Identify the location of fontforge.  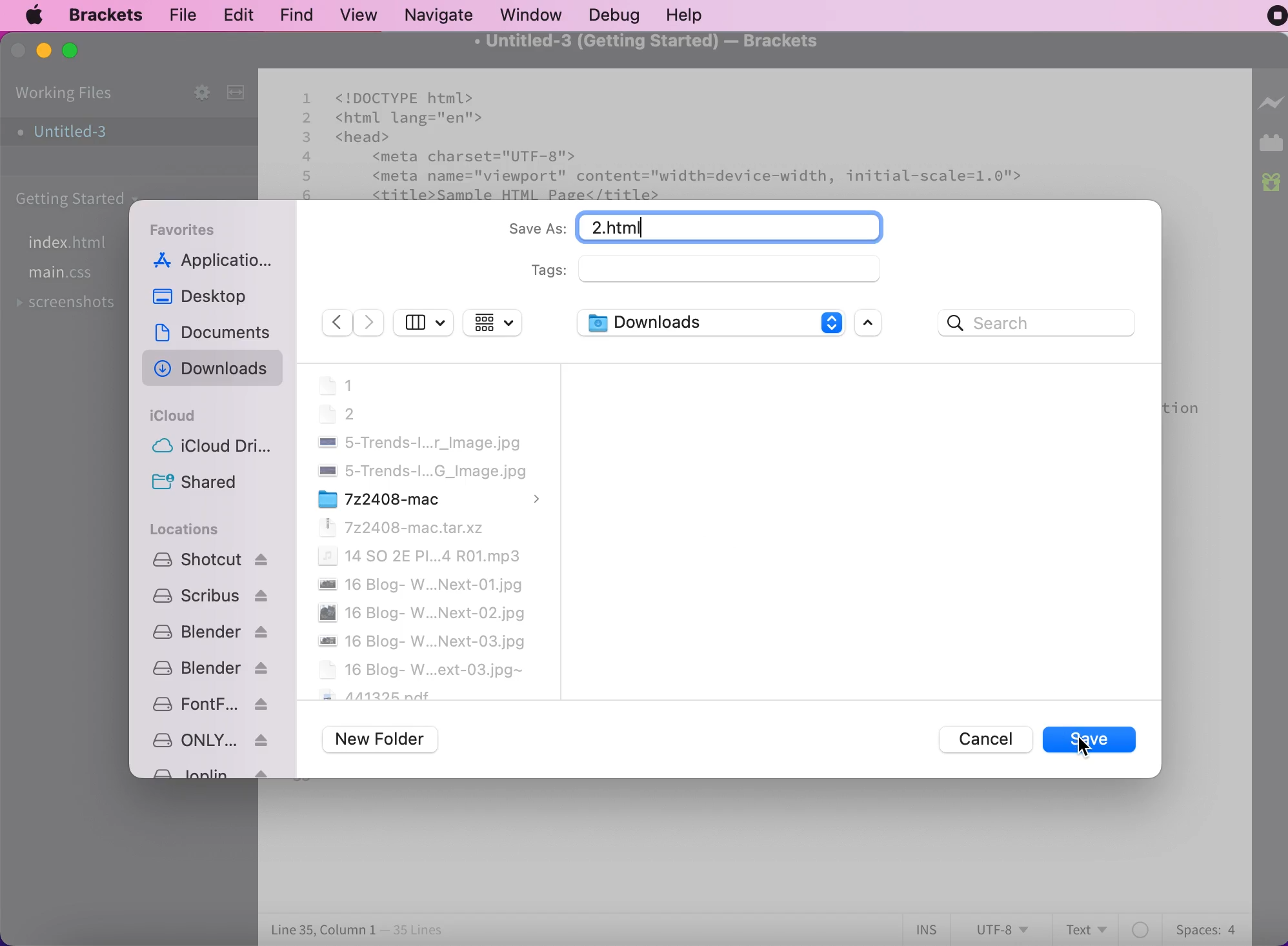
(211, 705).